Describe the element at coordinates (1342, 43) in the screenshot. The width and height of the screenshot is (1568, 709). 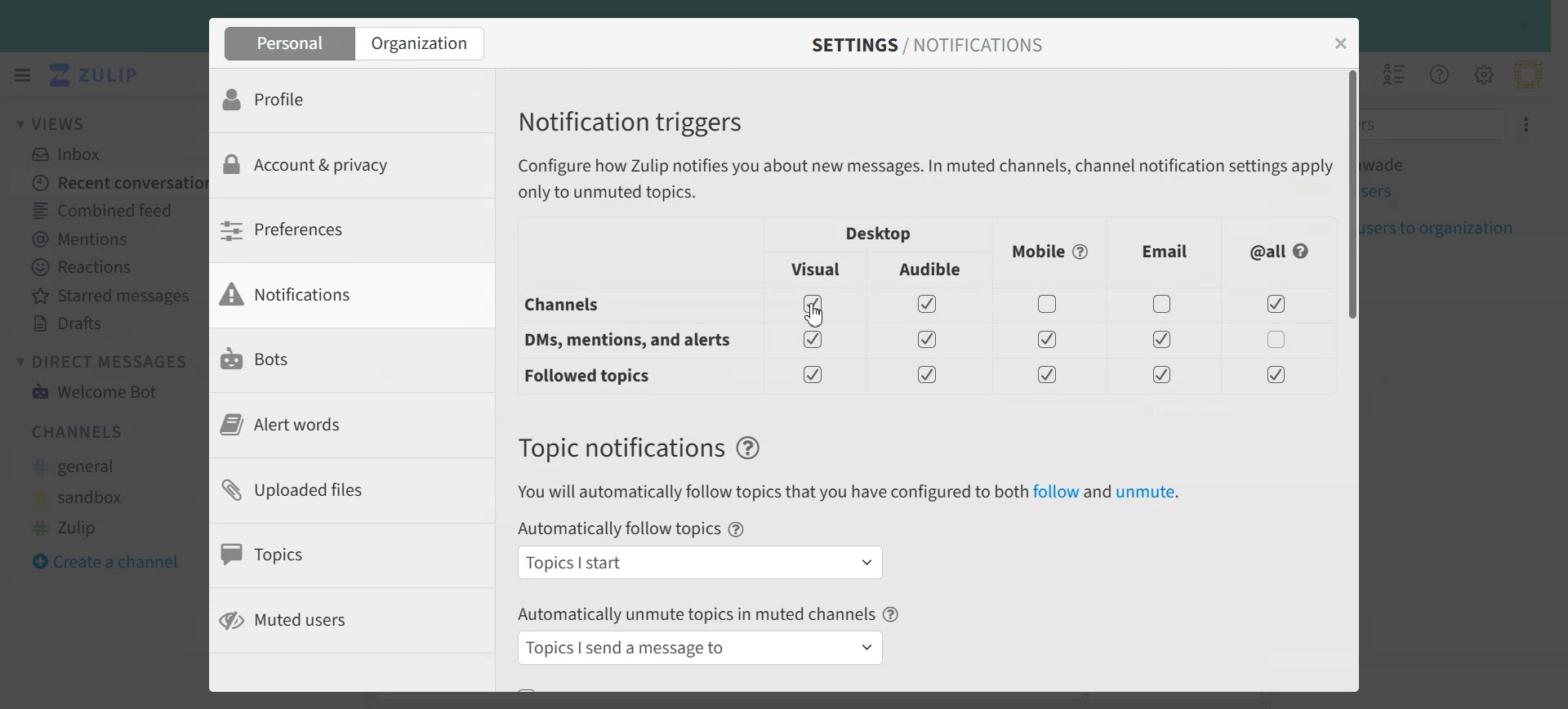
I see `Close` at that location.